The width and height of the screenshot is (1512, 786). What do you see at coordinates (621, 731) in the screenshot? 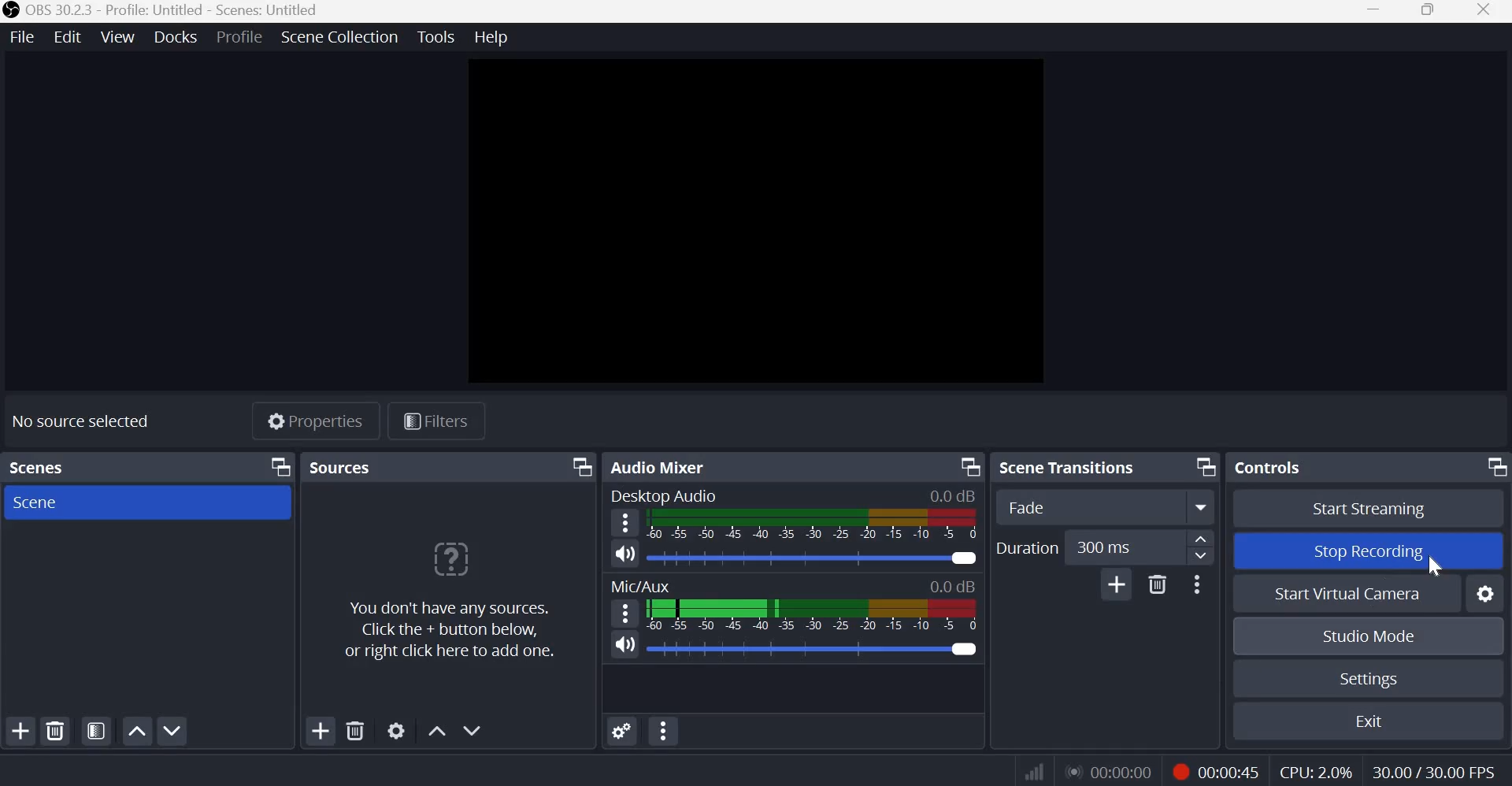
I see `Advances Audio Properties` at bounding box center [621, 731].